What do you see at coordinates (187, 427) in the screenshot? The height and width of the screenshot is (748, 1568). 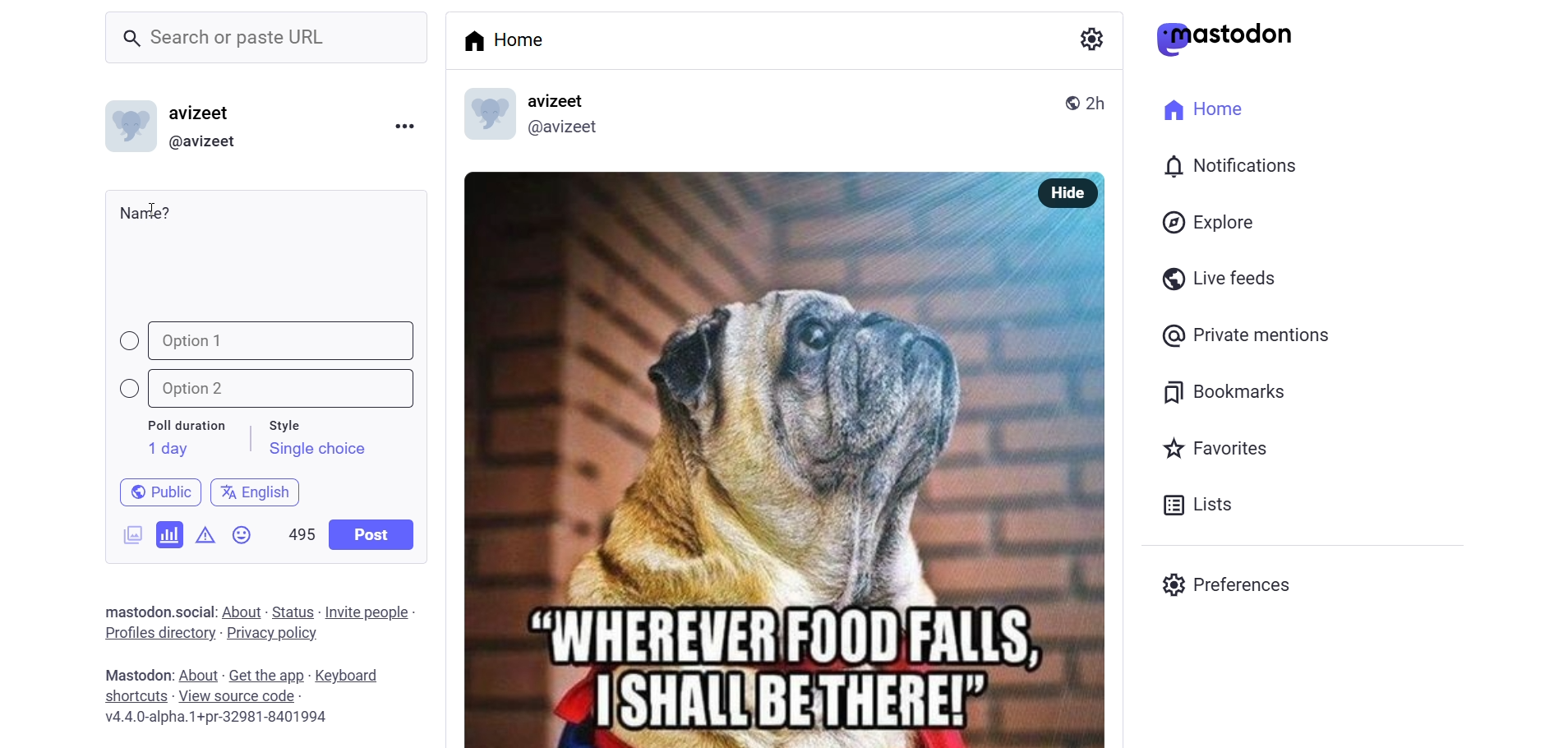 I see `duration` at bounding box center [187, 427].